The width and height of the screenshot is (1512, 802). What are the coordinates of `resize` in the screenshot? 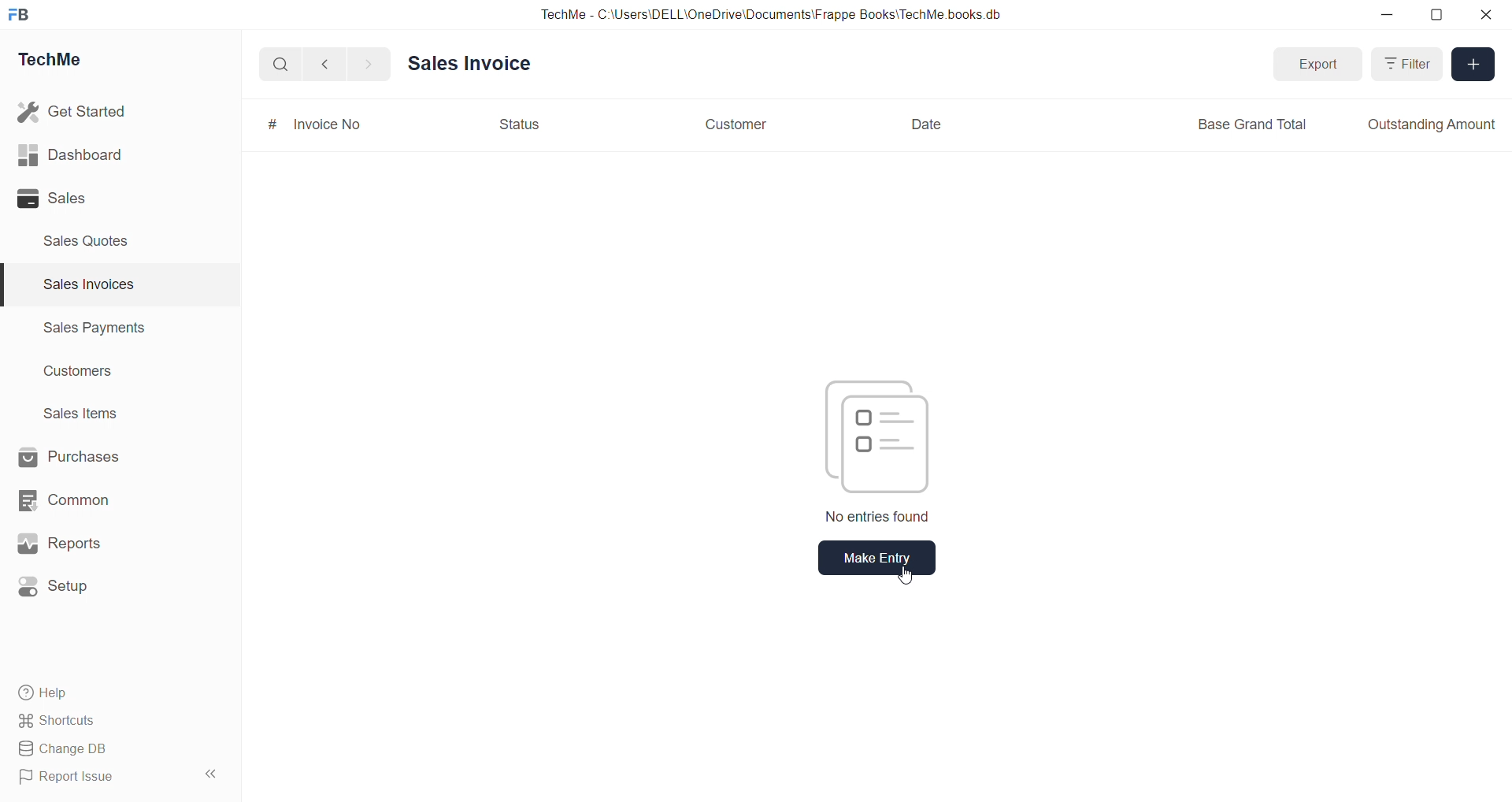 It's located at (1436, 16).